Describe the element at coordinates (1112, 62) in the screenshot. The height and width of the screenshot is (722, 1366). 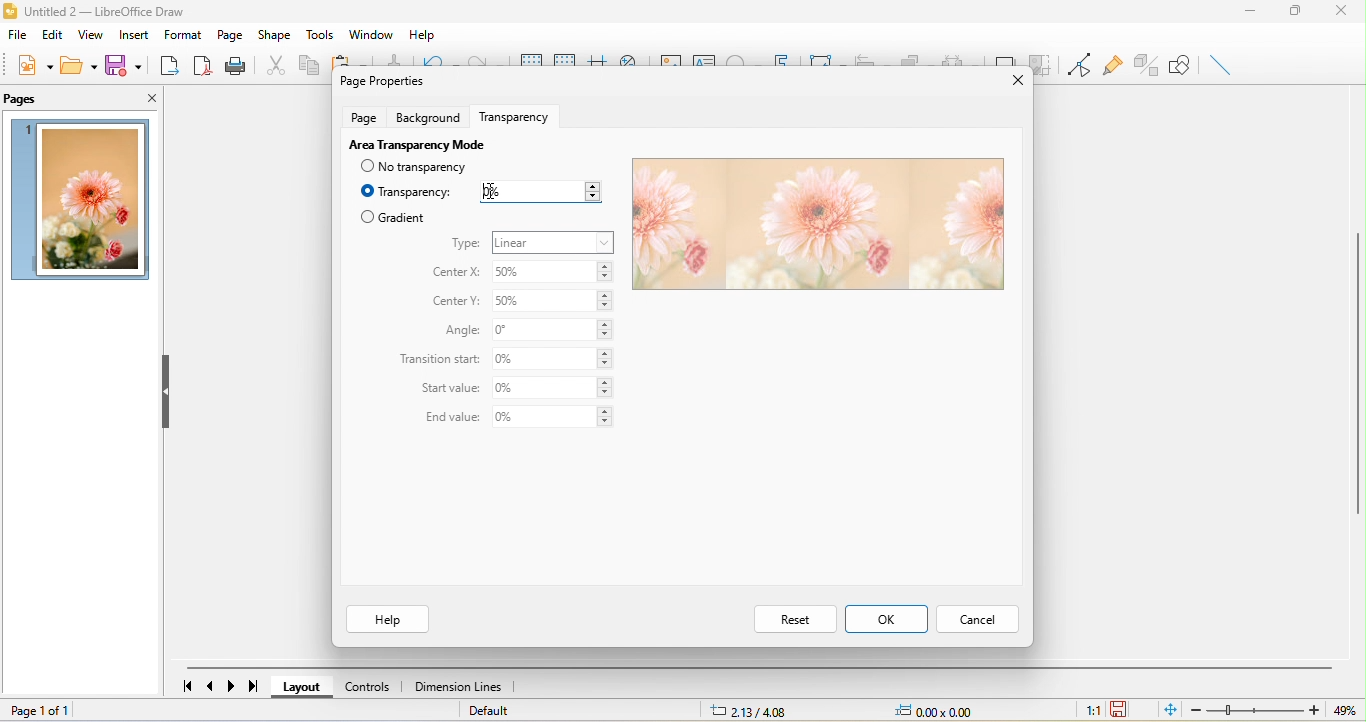
I see `glue point function` at that location.